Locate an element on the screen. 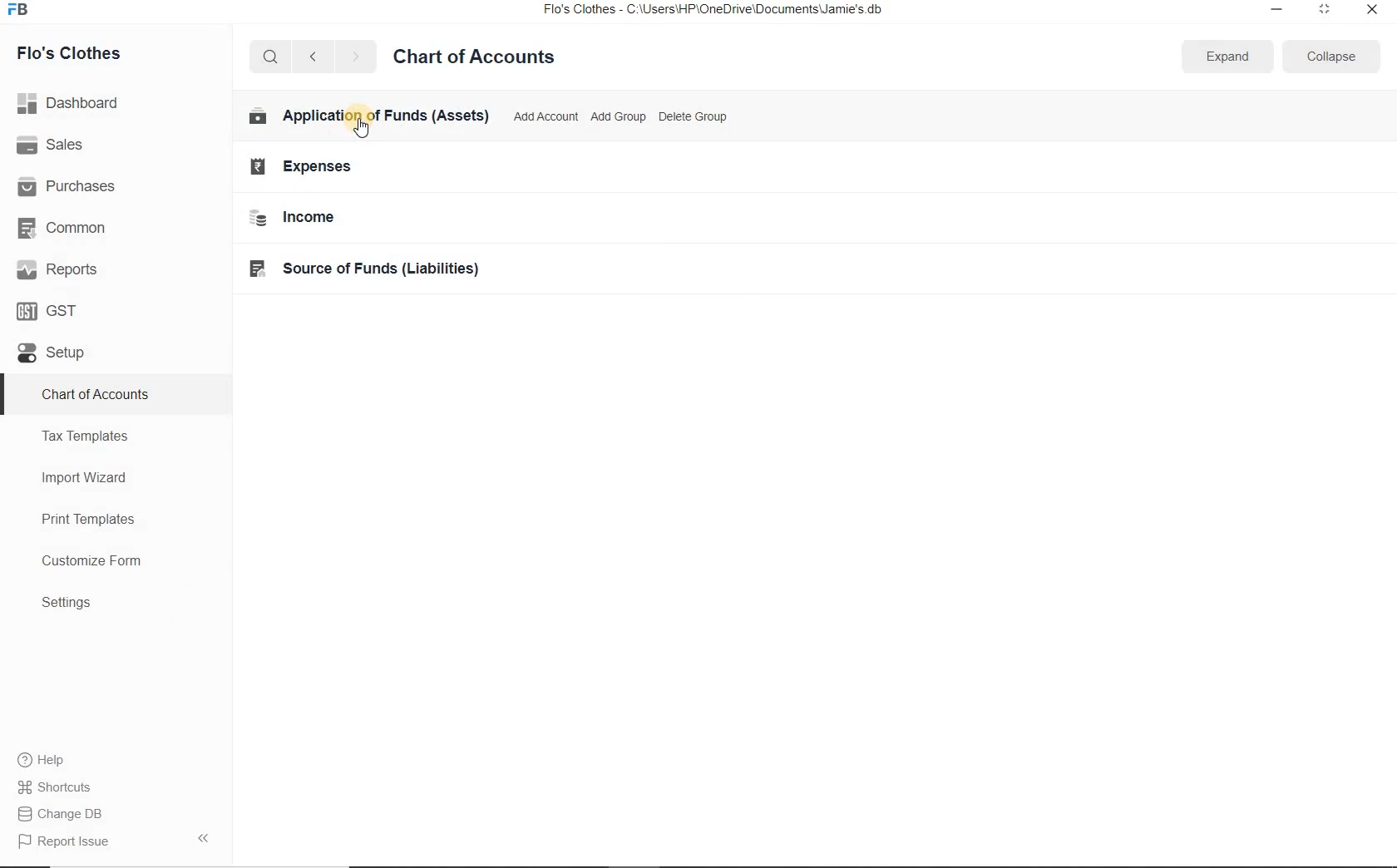  Import Wizard is located at coordinates (105, 480).